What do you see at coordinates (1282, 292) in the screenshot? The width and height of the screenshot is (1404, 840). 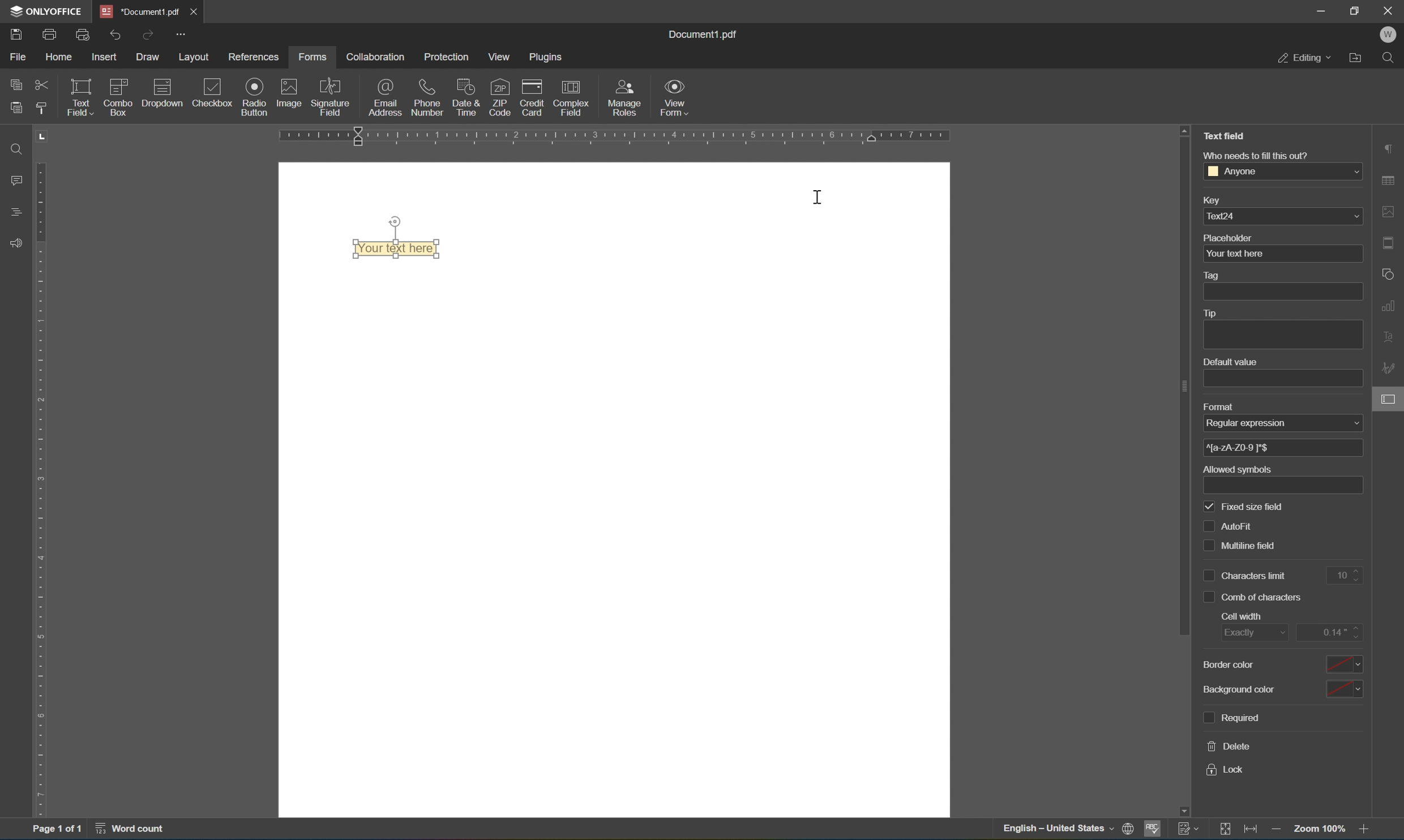 I see `add tag` at bounding box center [1282, 292].